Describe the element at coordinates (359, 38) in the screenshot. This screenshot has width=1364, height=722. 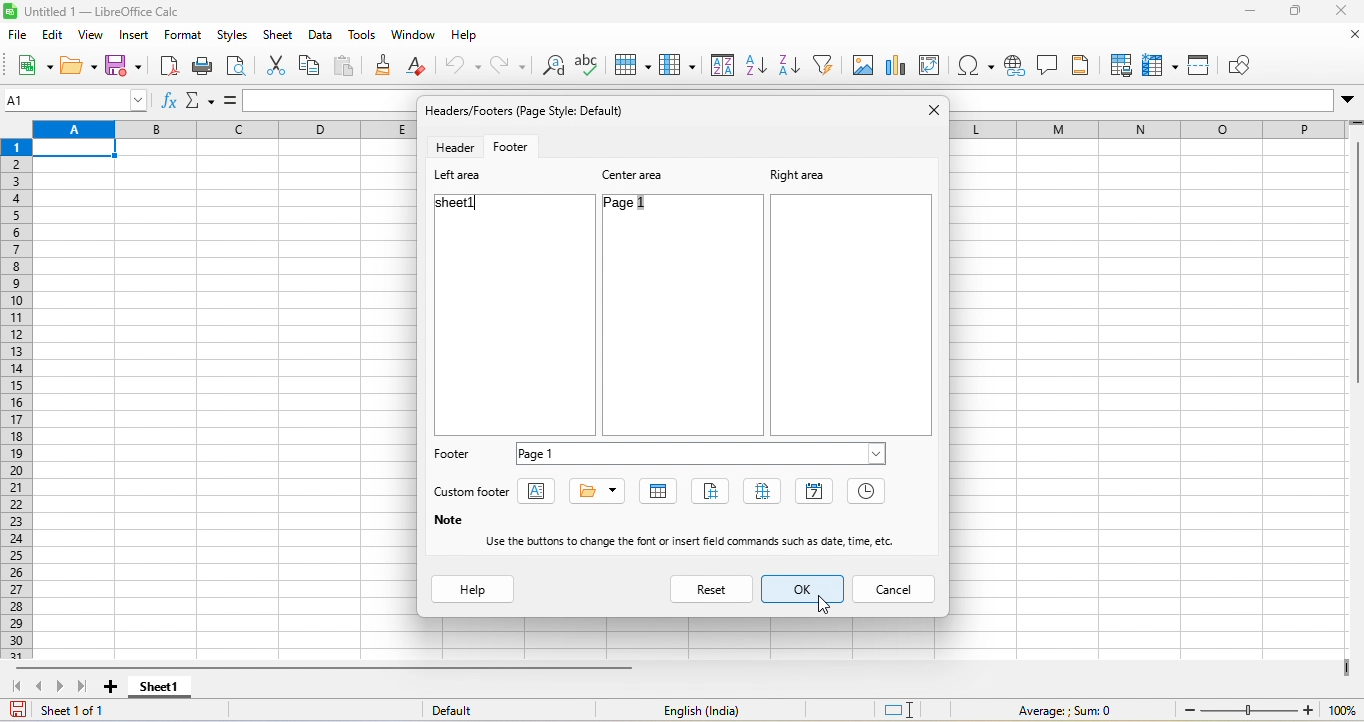
I see `tools` at that location.